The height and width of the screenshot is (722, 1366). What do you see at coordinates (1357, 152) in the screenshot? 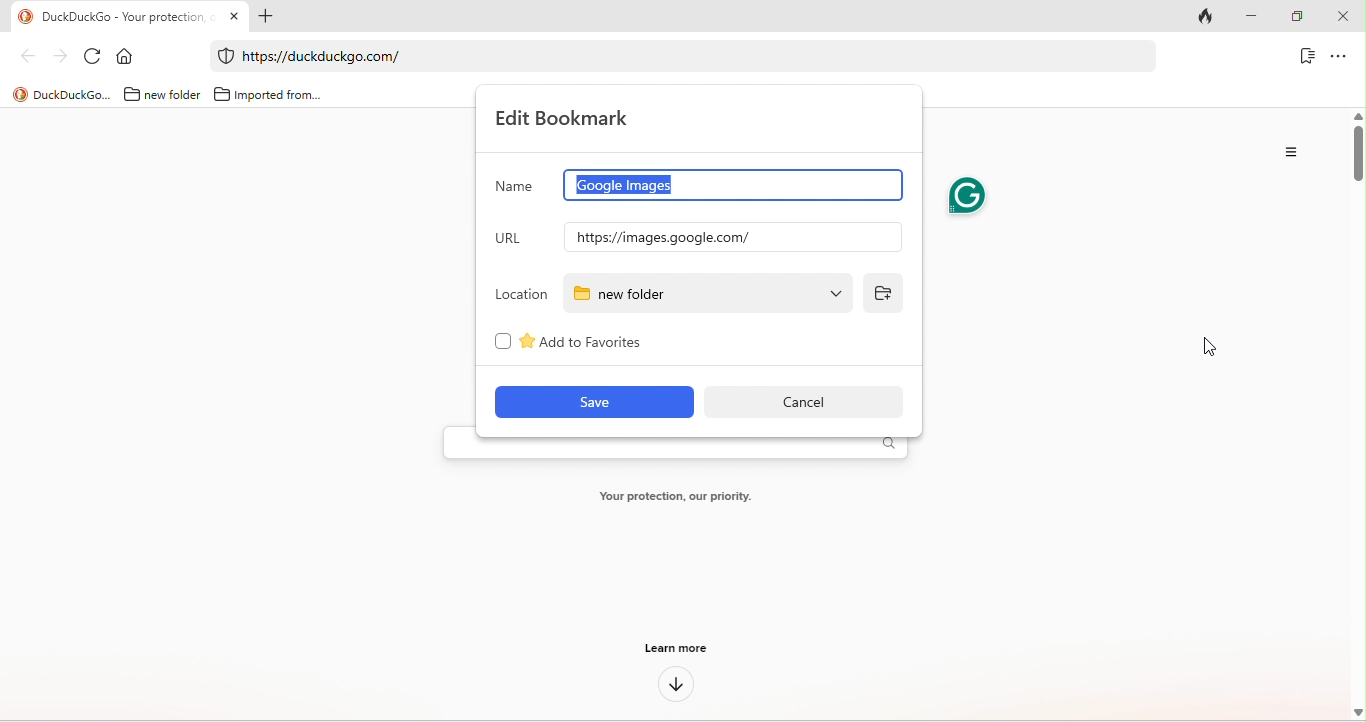
I see `vertical scroll bar` at bounding box center [1357, 152].